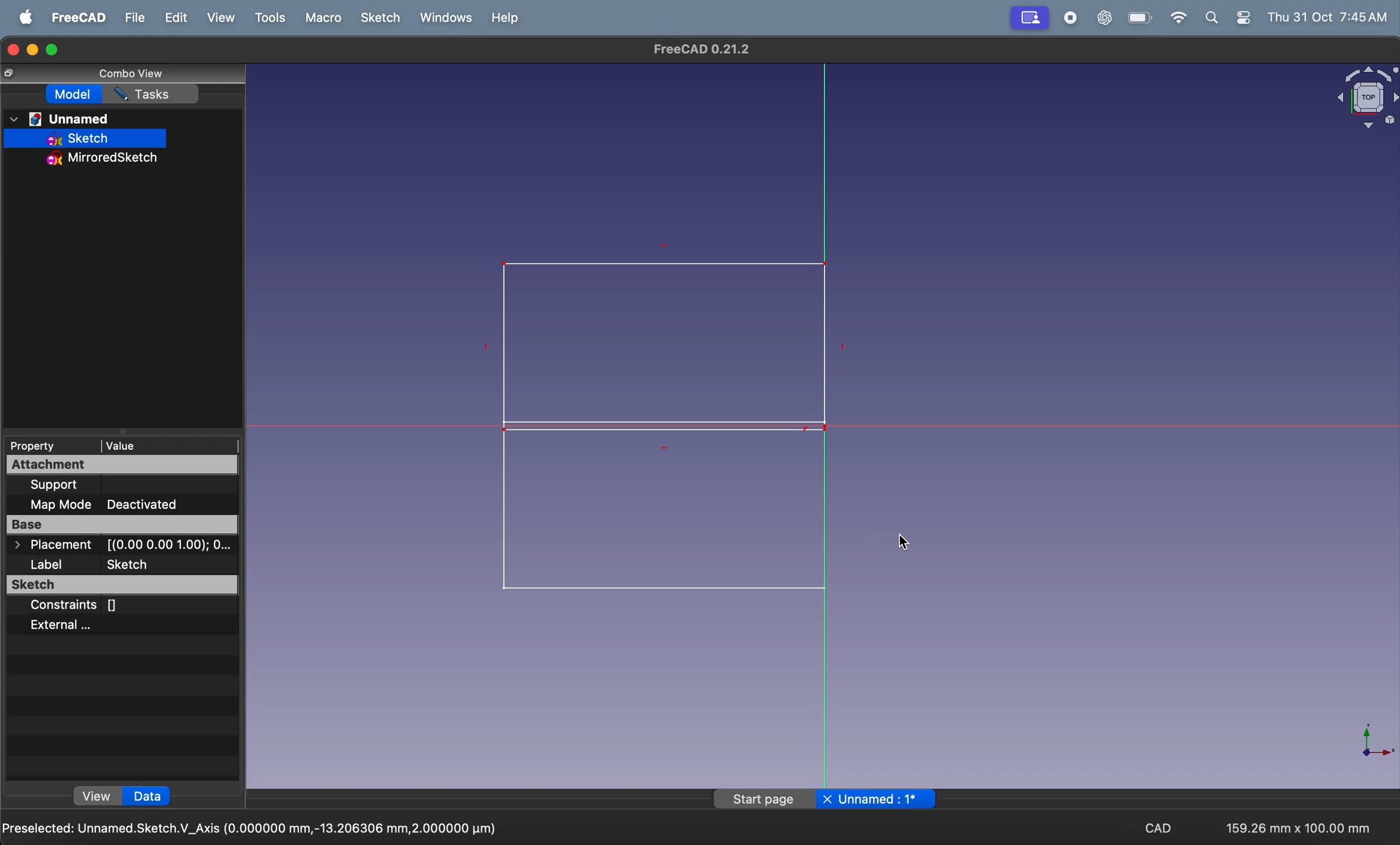 The image size is (1400, 845). Describe the element at coordinates (267, 19) in the screenshot. I see `tools` at that location.